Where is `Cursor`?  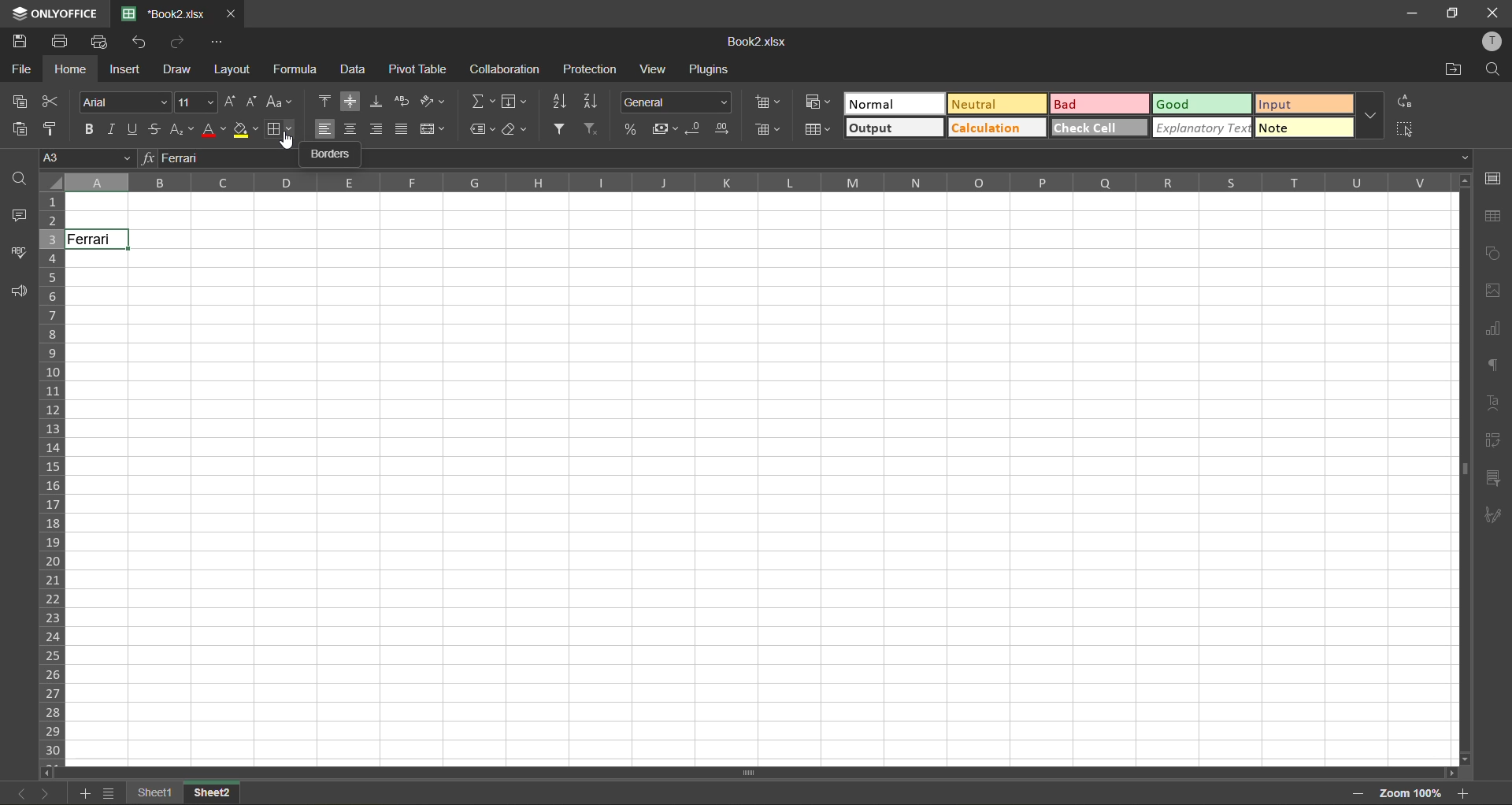 Cursor is located at coordinates (110, 244).